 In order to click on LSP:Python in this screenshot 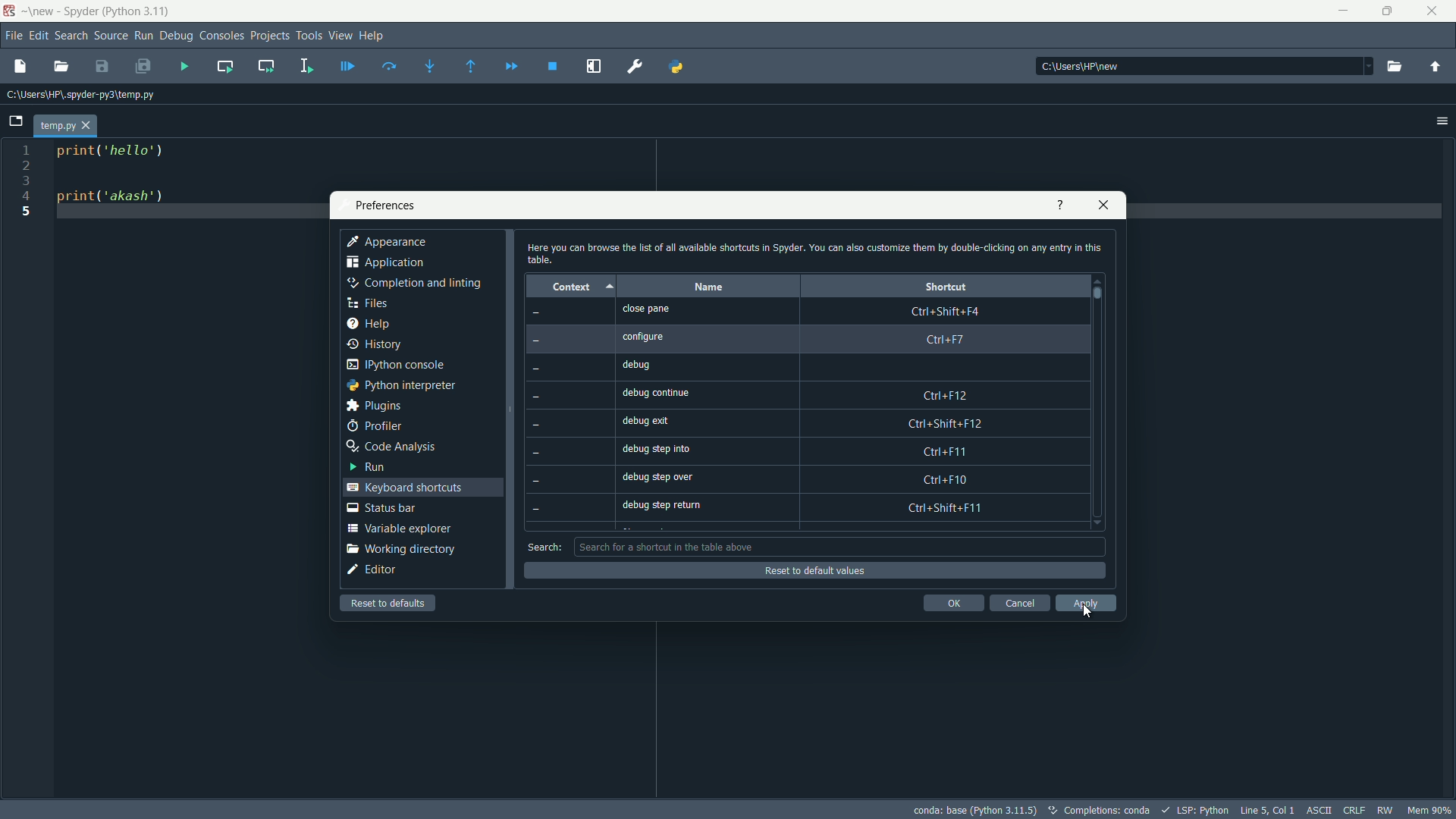, I will do `click(1202, 811)`.